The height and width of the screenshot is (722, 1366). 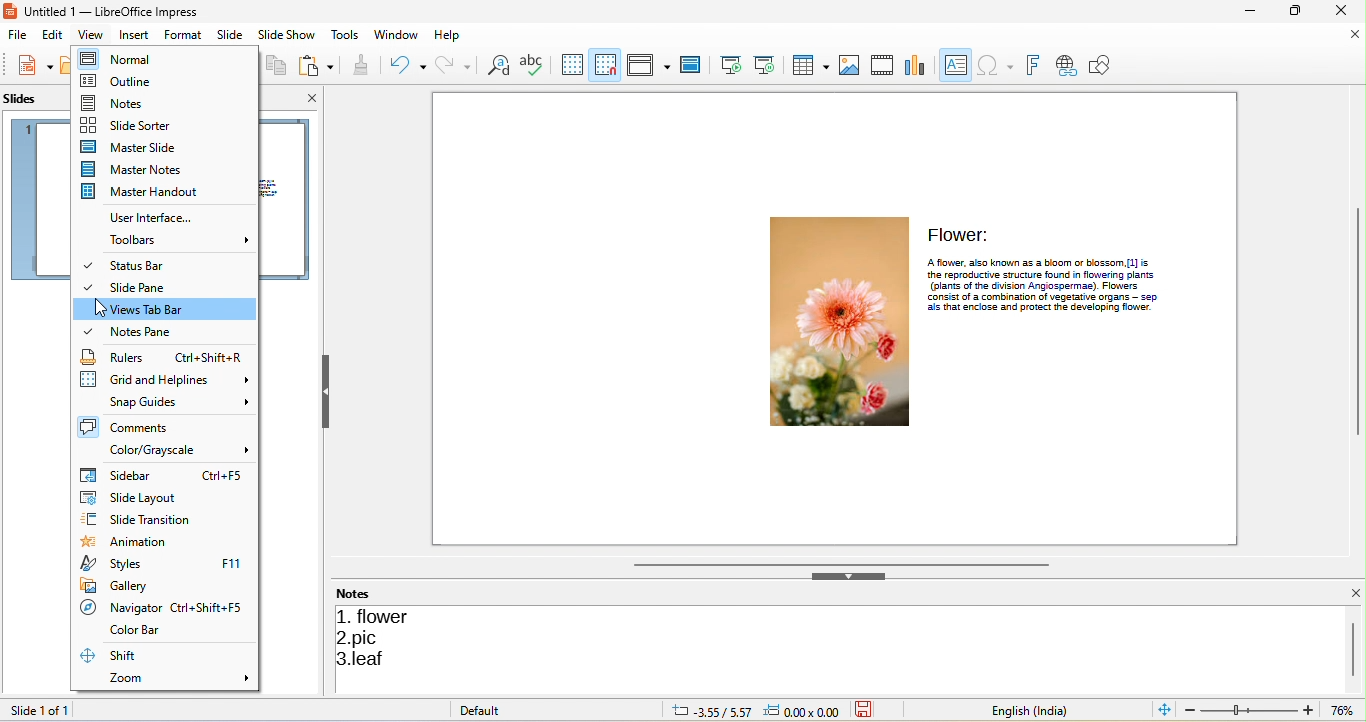 I want to click on default, so click(x=491, y=710).